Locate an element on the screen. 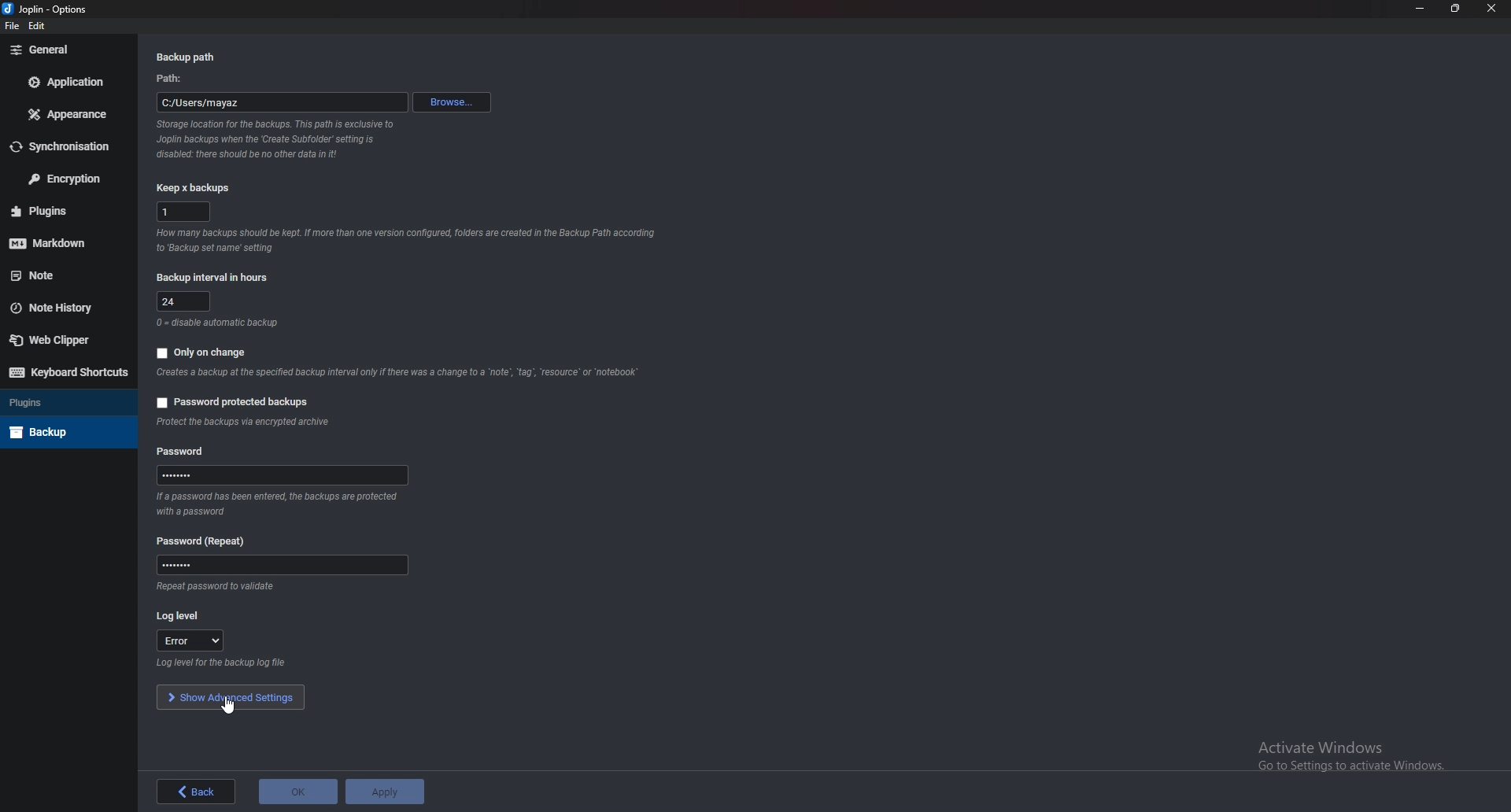 Image resolution: width=1511 pixels, height=812 pixels. Keyboard shortcuts is located at coordinates (65, 373).